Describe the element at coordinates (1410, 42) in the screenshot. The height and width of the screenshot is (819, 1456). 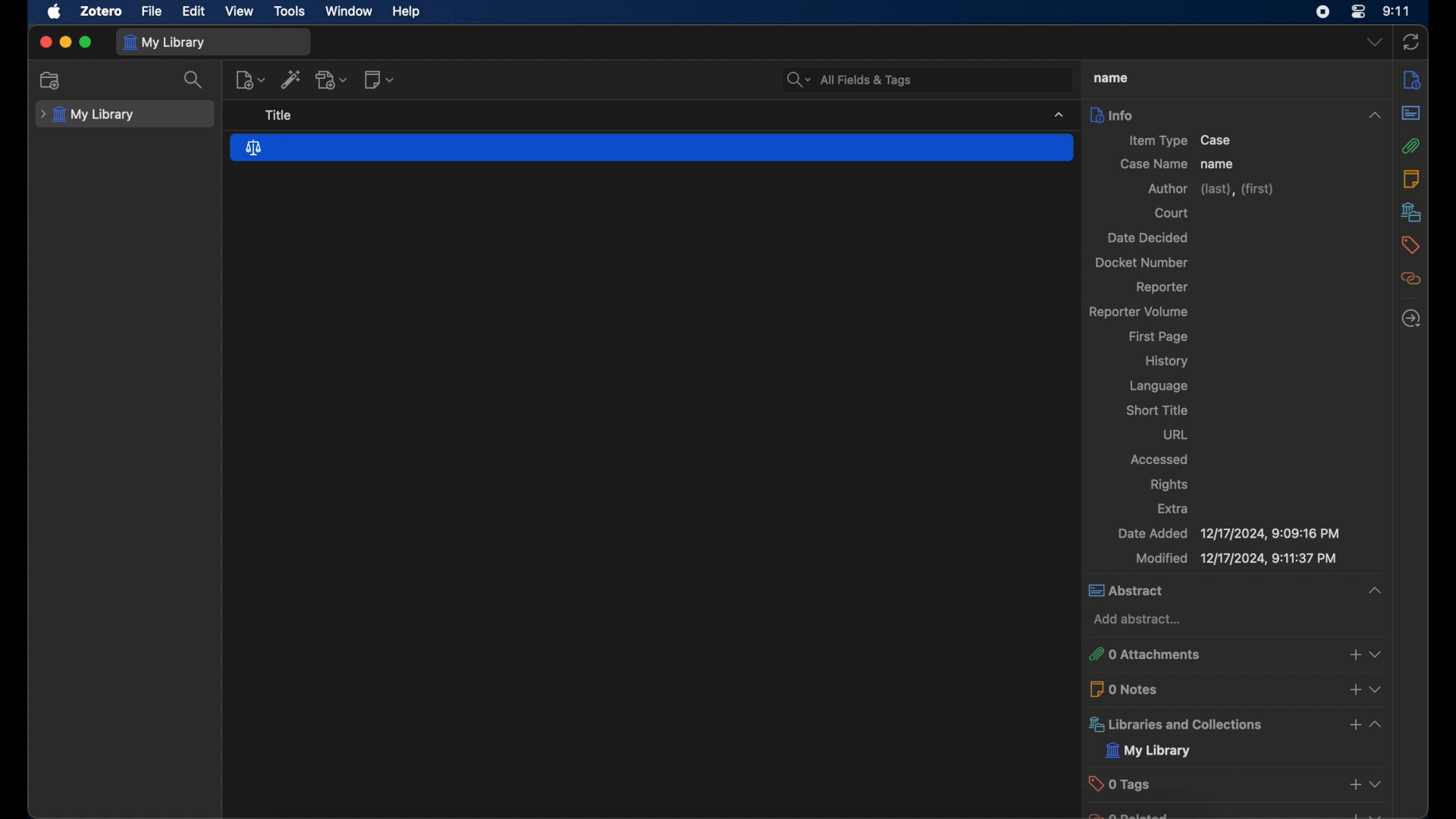
I see `sync` at that location.